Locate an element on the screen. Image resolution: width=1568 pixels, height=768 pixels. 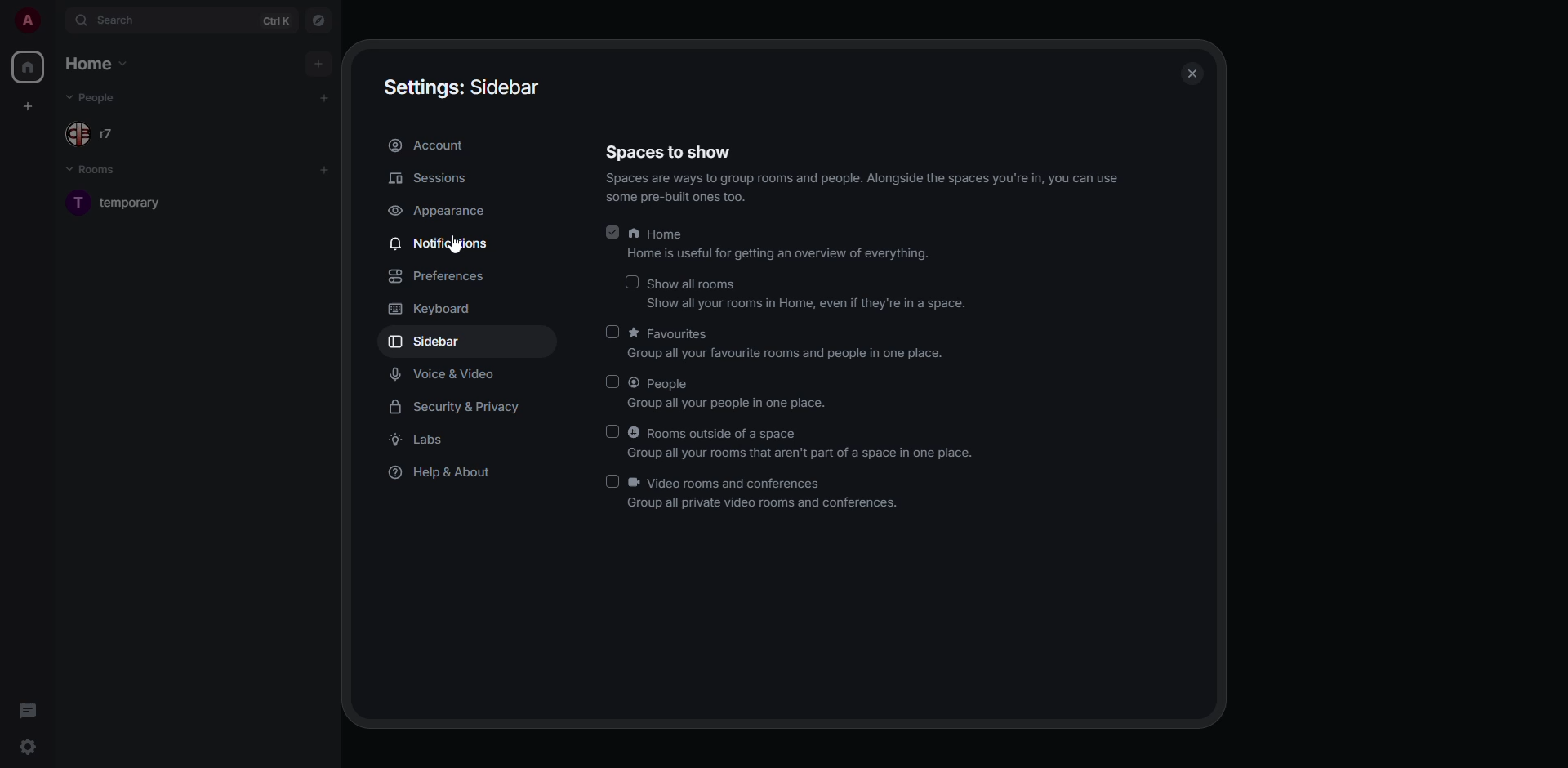
threads is located at coordinates (31, 712).